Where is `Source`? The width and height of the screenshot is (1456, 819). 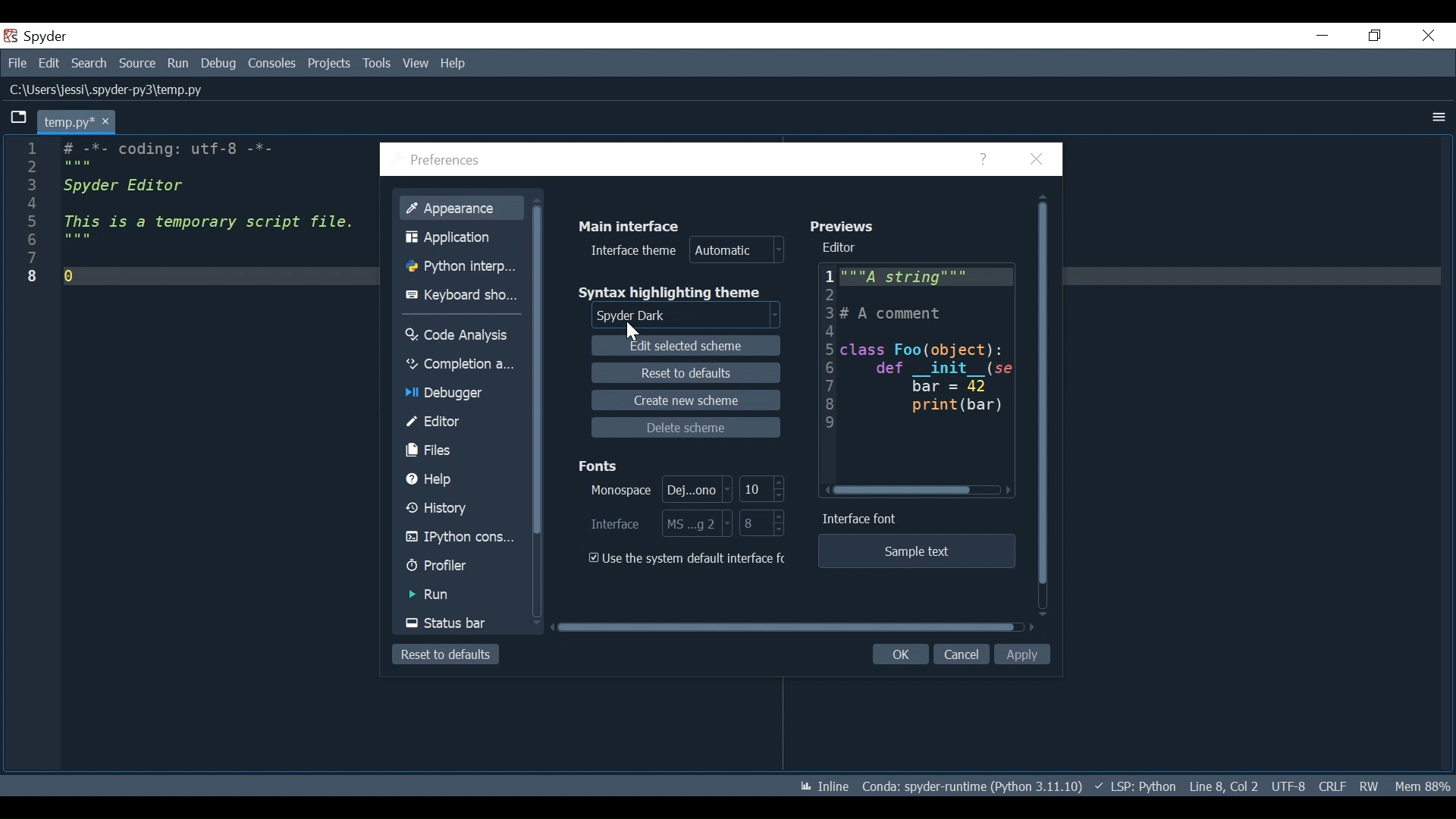 Source is located at coordinates (137, 63).